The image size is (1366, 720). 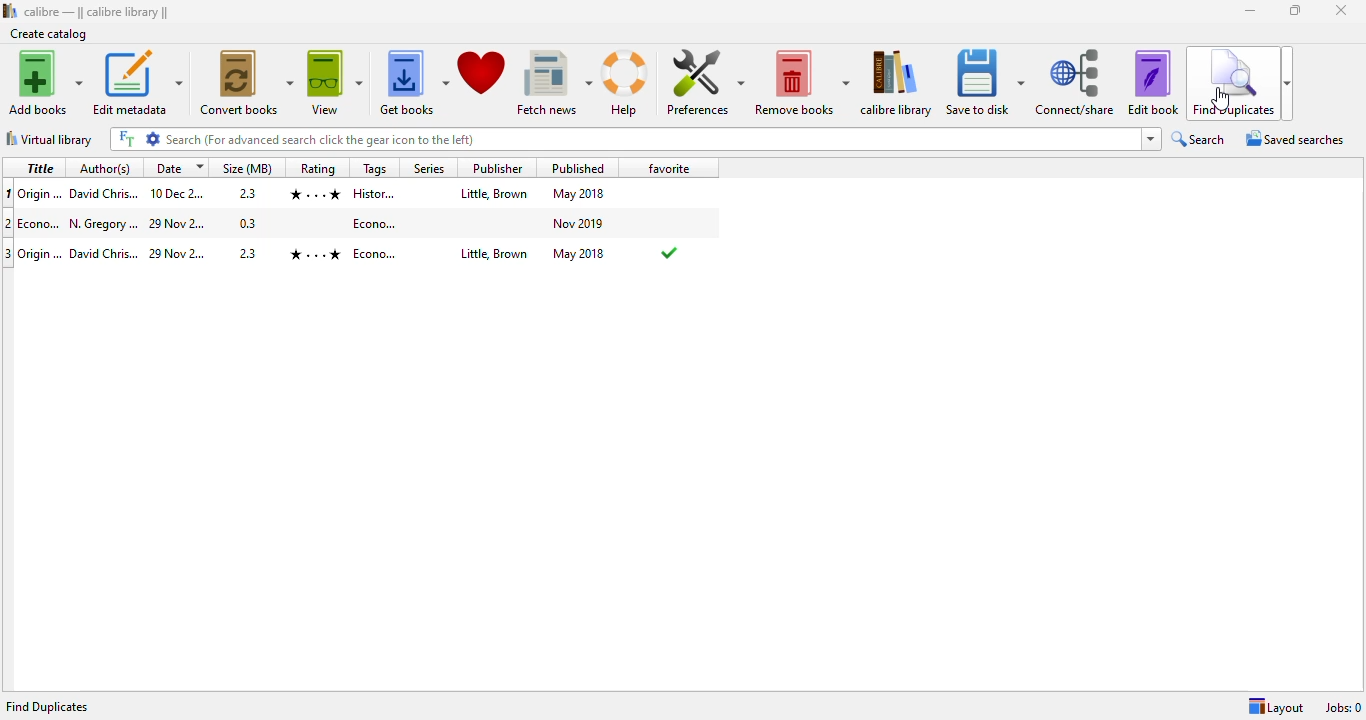 What do you see at coordinates (637, 139) in the screenshot?
I see `search` at bounding box center [637, 139].